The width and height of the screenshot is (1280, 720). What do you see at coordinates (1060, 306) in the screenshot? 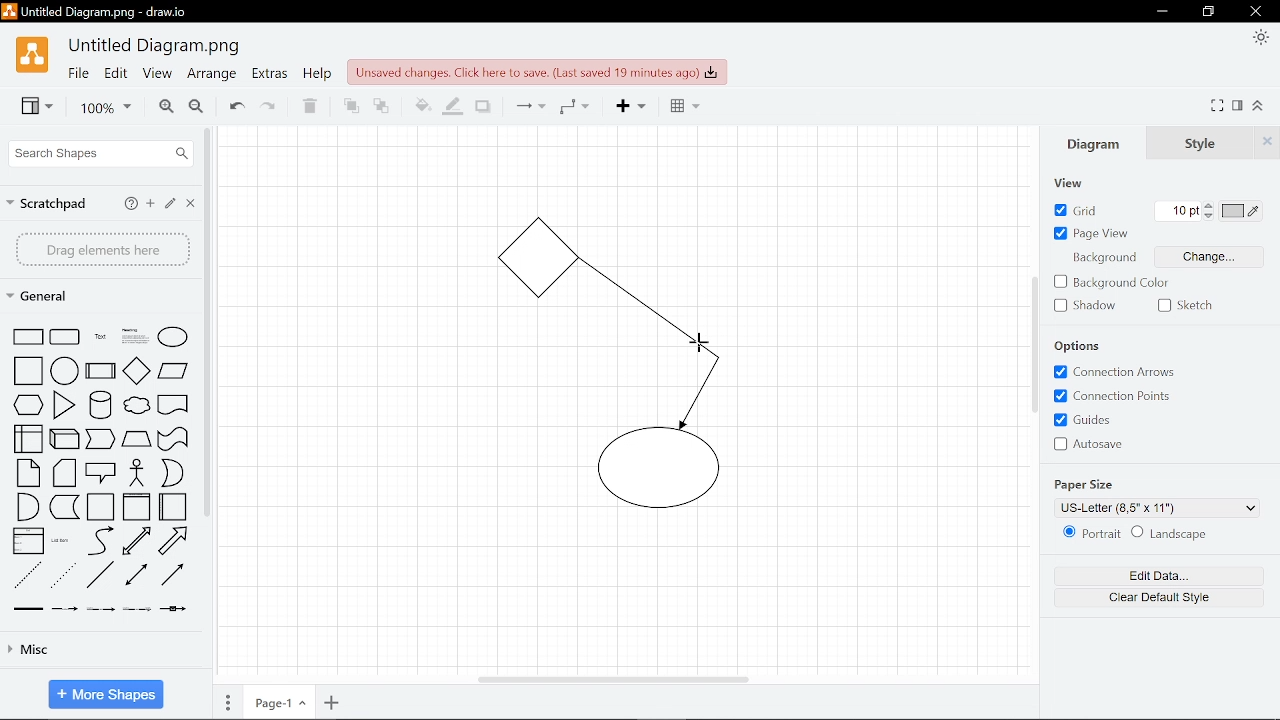
I see `checkbox` at bounding box center [1060, 306].